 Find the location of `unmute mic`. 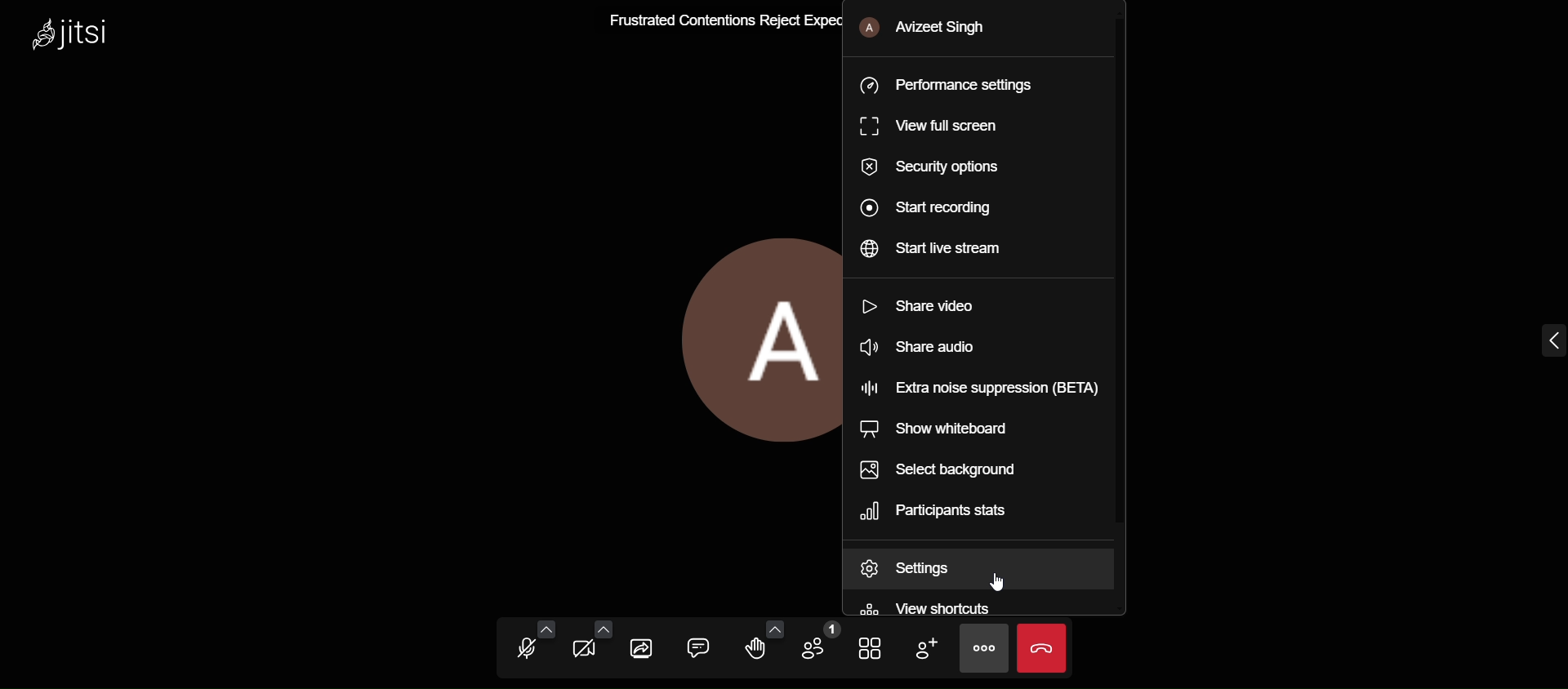

unmute mic is located at coordinates (524, 651).